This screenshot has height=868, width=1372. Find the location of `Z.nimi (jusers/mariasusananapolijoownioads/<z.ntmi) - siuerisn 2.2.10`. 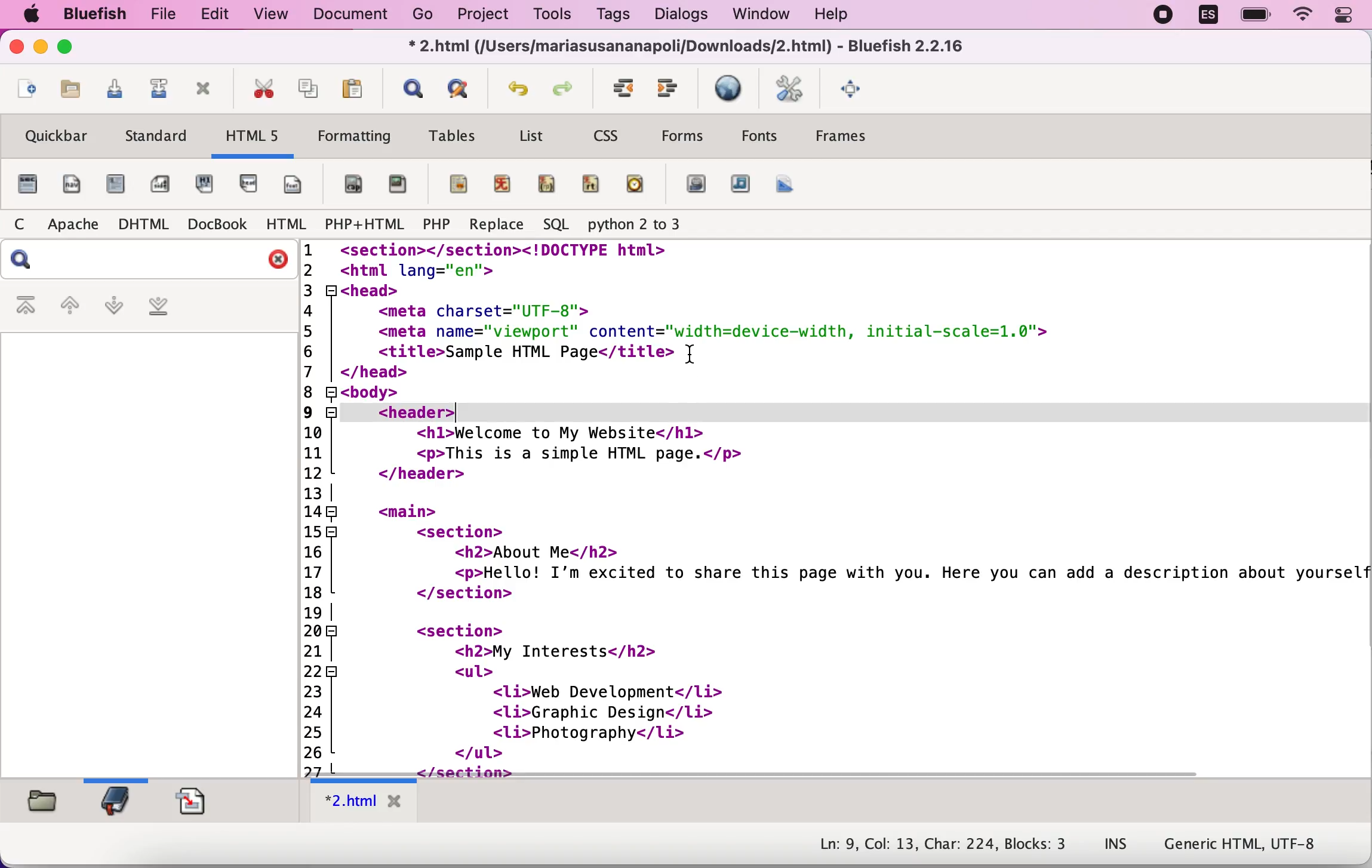

Z.nimi (jusers/mariasusananapolijoownioads/<z.ntmi) - siuerisn 2.2.10 is located at coordinates (690, 45).